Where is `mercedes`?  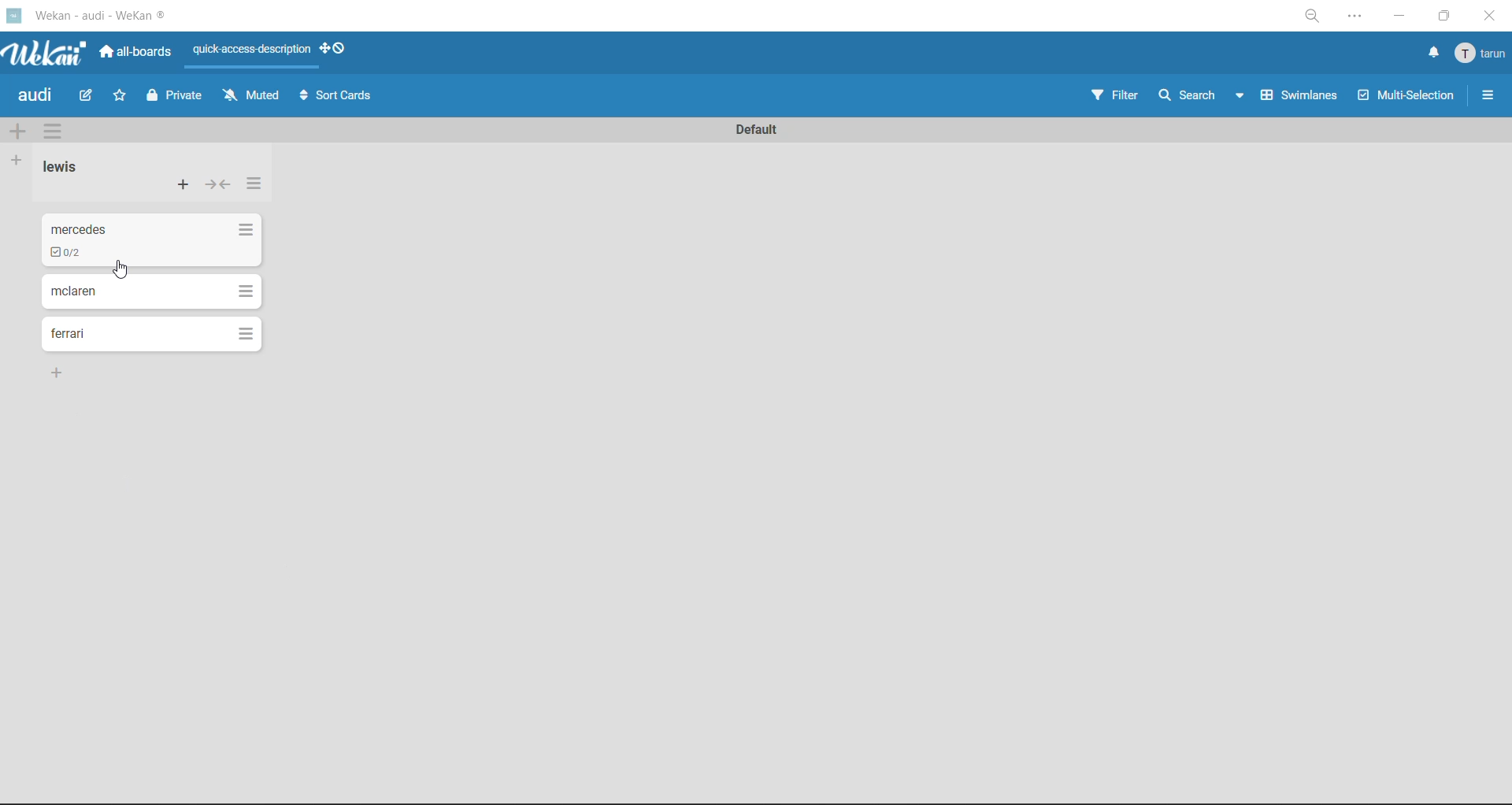 mercedes is located at coordinates (81, 224).